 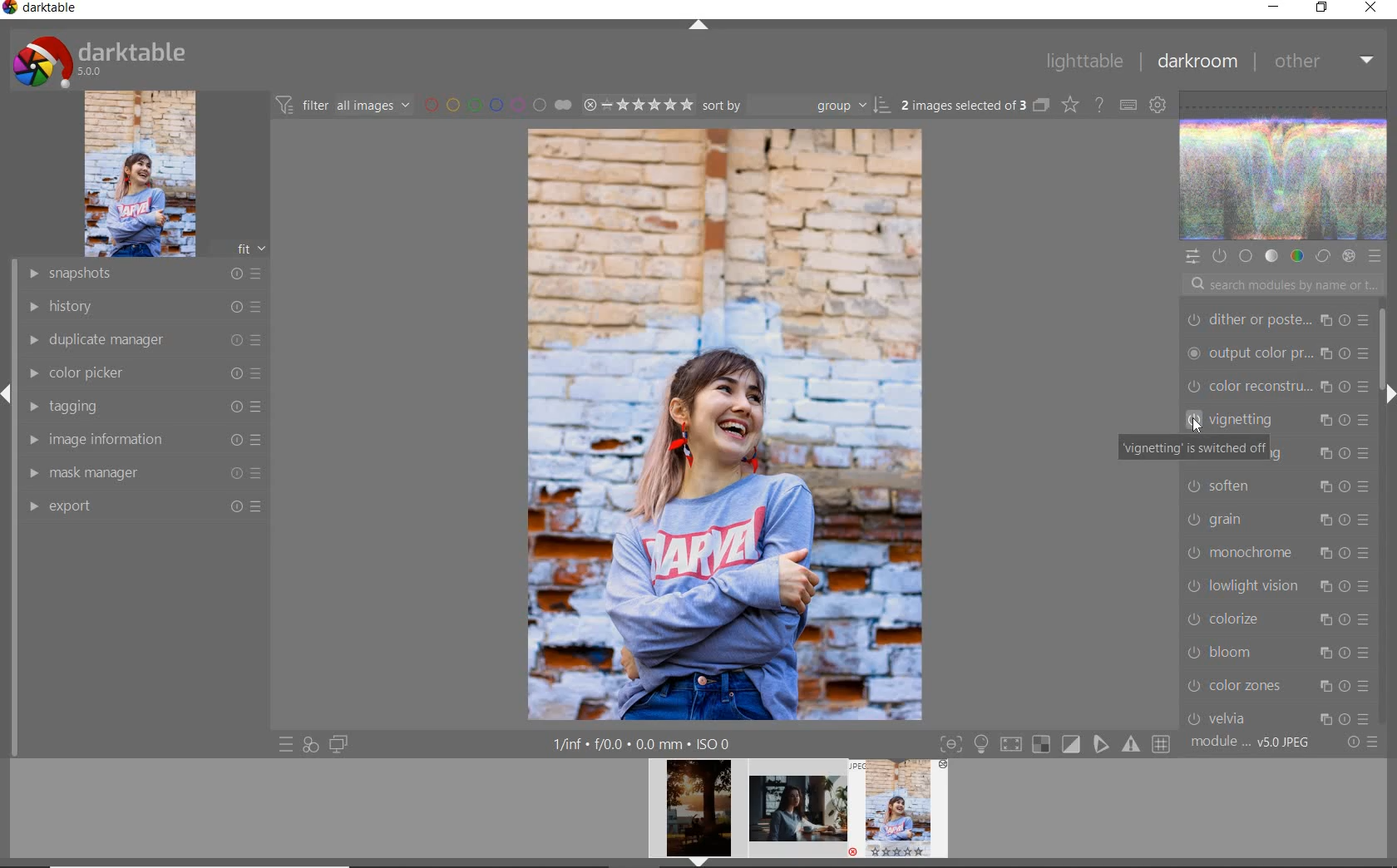 I want to click on selected image, so click(x=726, y=422).